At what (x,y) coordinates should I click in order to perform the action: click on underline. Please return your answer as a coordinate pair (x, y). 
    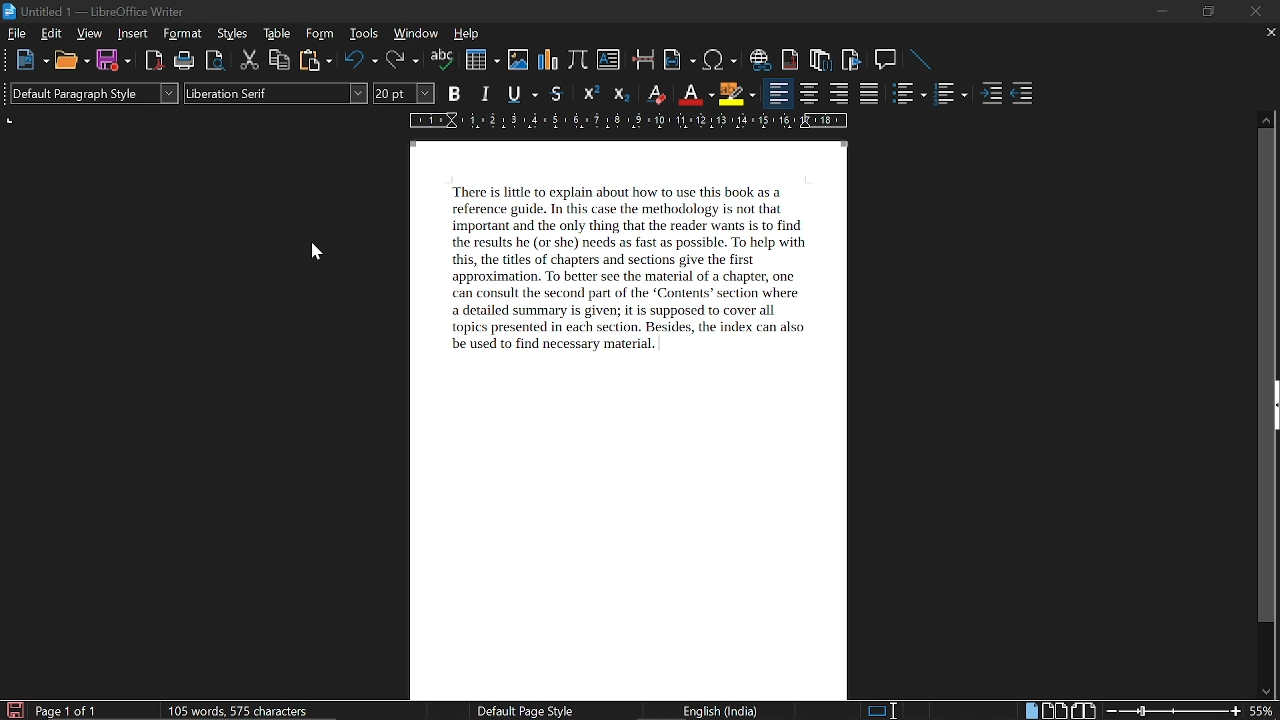
    Looking at the image, I should click on (522, 93).